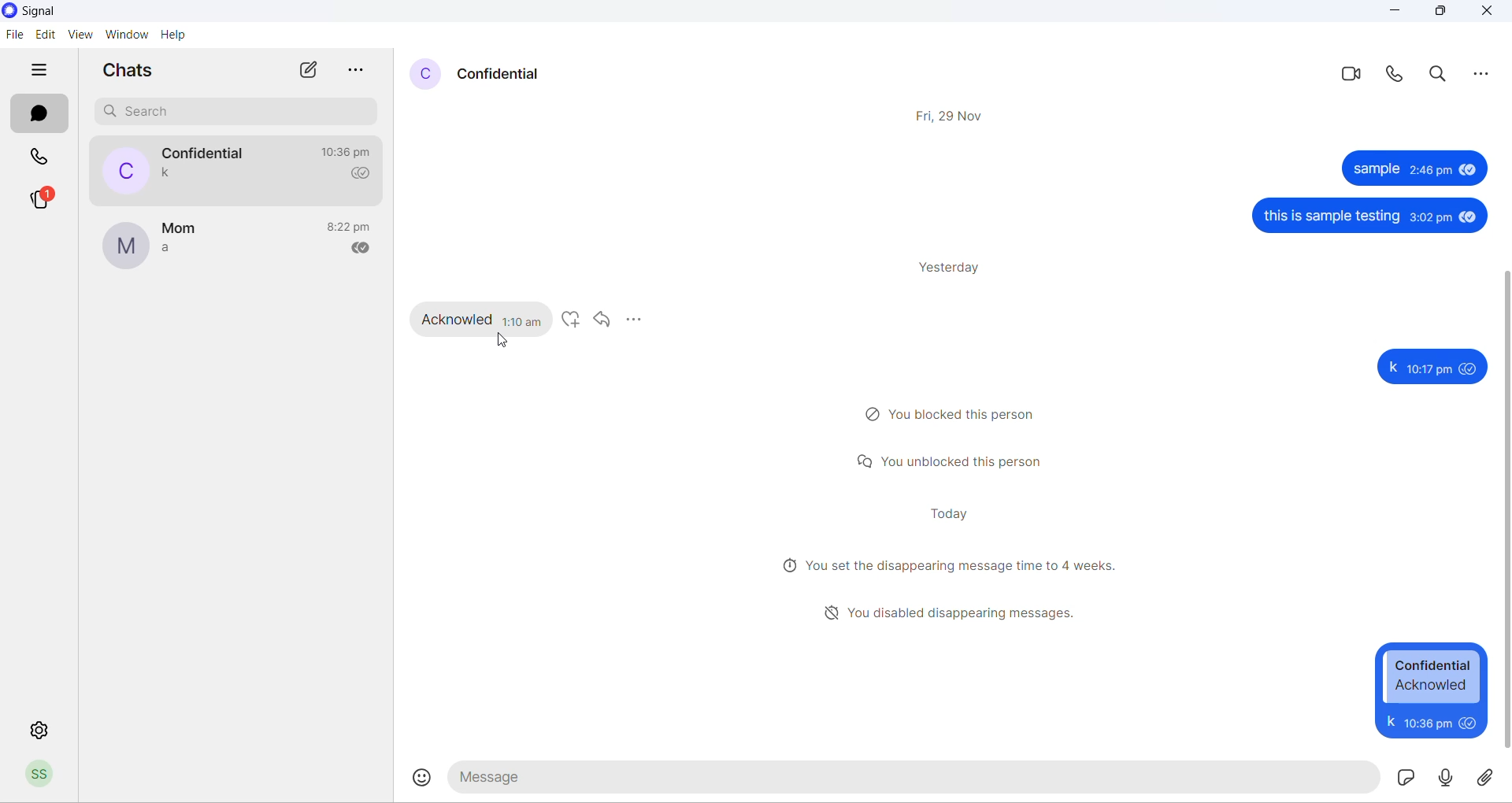  I want to click on unblocked contact message, so click(951, 462).